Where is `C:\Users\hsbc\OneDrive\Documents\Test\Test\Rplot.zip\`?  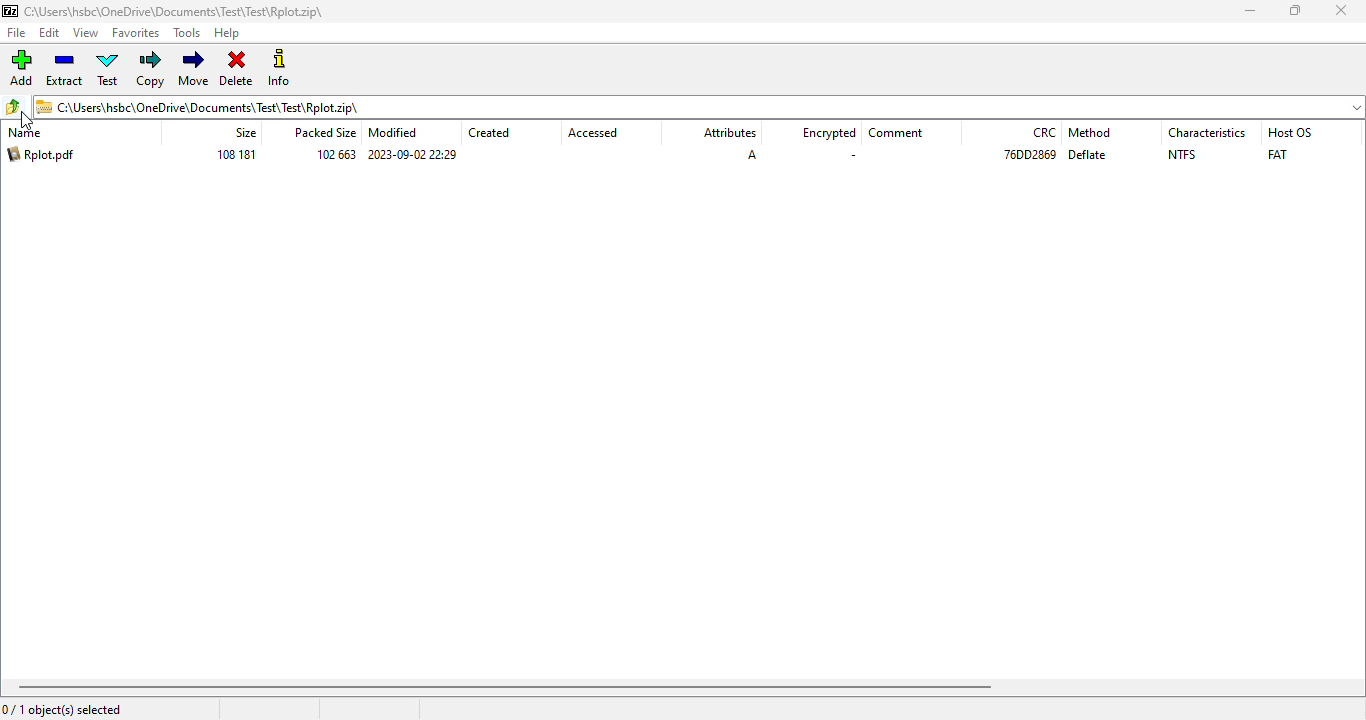 C:\Users\hsbc\OneDrive\Documents\Test\Test\Rplot.zip\ is located at coordinates (180, 10).